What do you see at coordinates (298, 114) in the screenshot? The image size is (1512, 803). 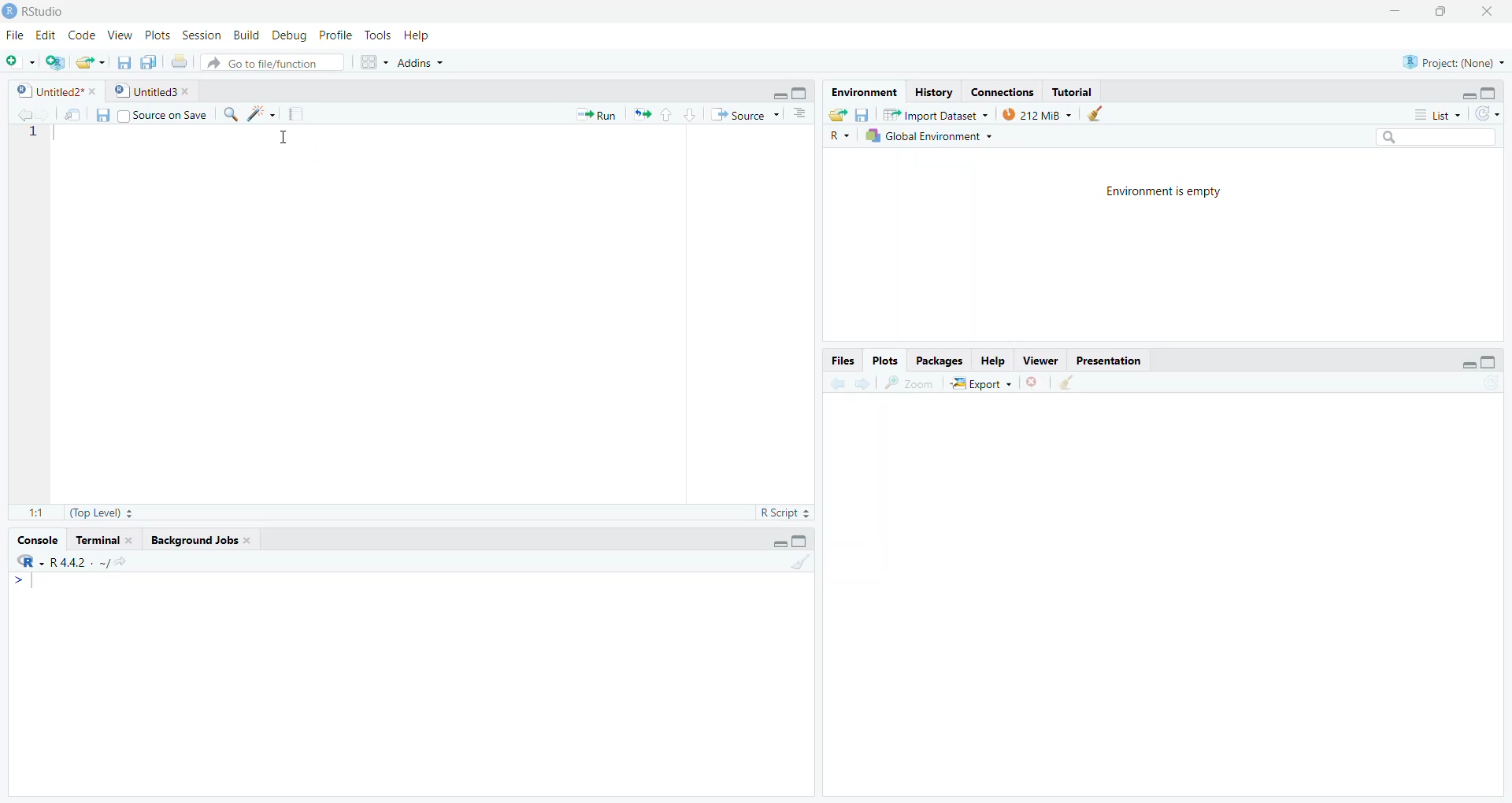 I see `document` at bounding box center [298, 114].